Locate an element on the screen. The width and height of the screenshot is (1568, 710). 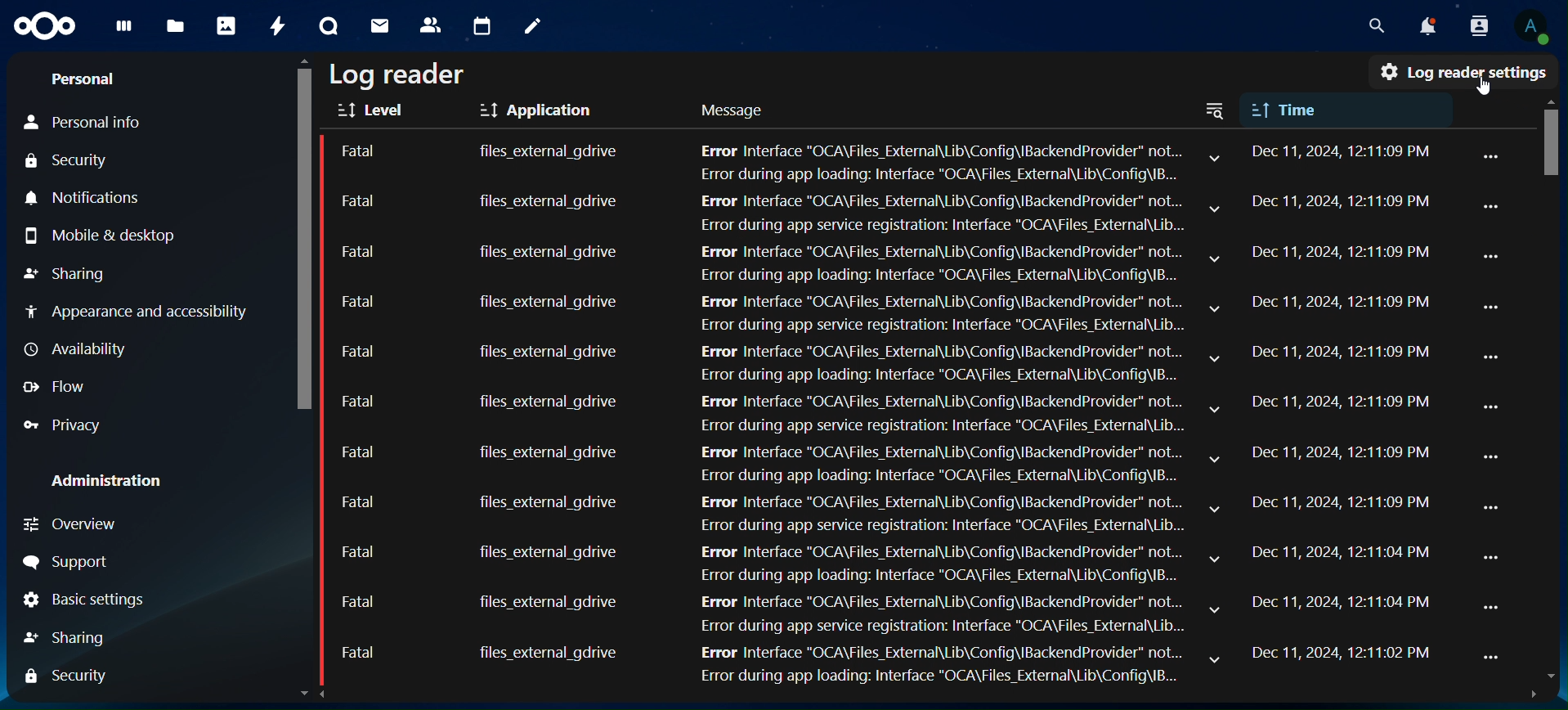
mobile & desktop is located at coordinates (100, 236).